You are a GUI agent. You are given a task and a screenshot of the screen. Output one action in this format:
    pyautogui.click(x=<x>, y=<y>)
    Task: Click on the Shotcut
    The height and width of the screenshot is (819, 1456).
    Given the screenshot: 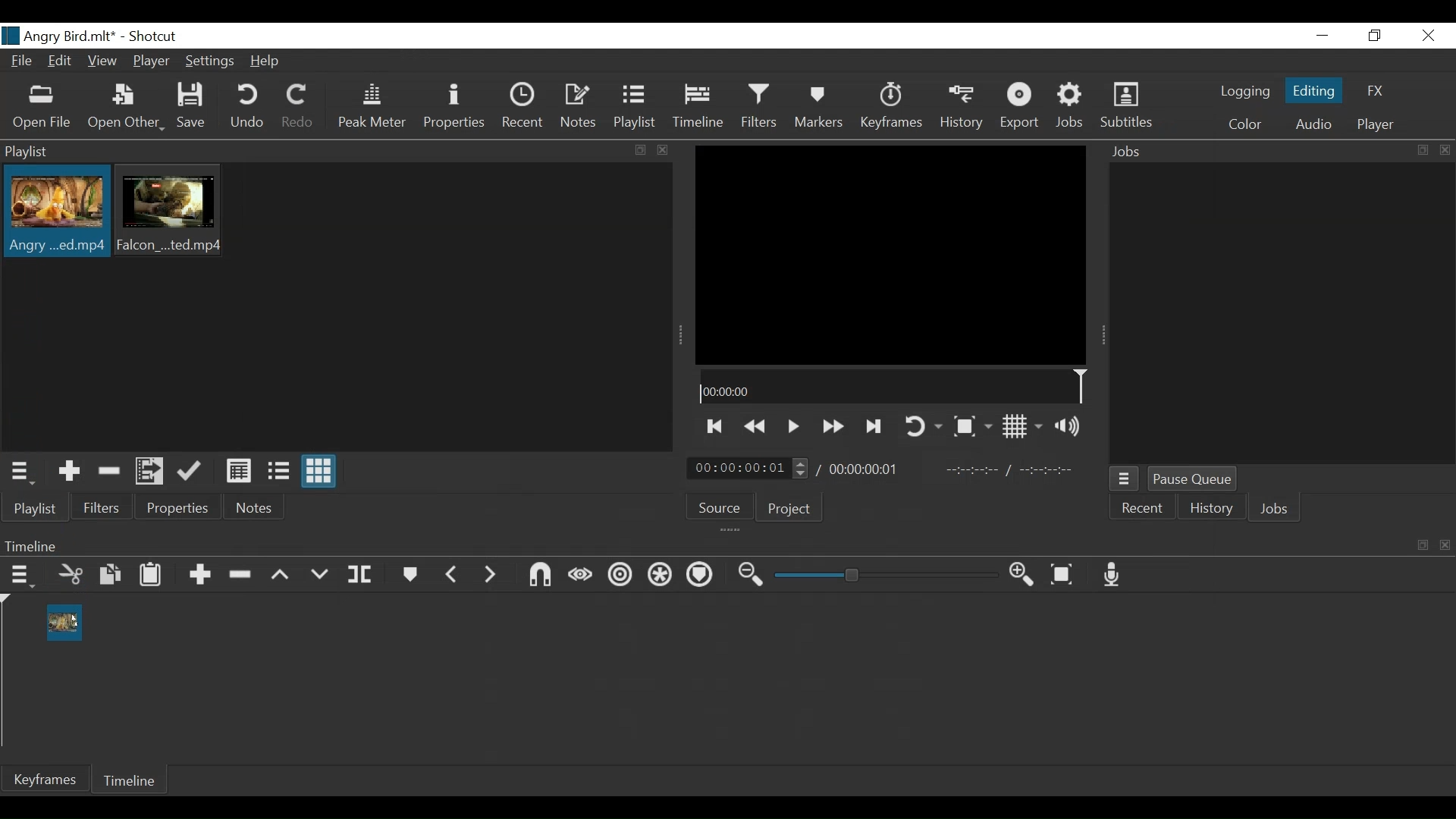 What is the action you would take?
    pyautogui.click(x=157, y=36)
    